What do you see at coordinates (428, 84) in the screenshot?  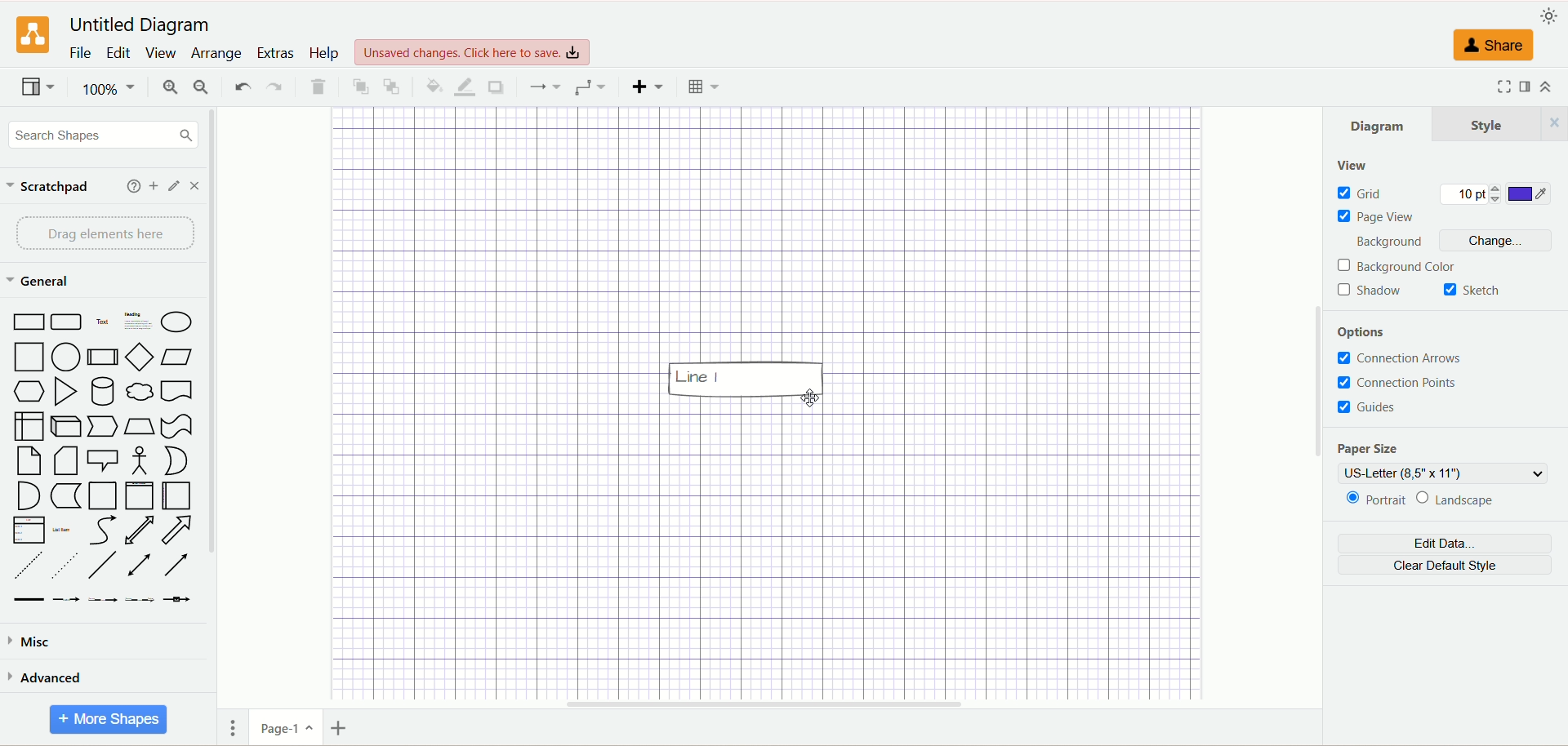 I see `fill color` at bounding box center [428, 84].